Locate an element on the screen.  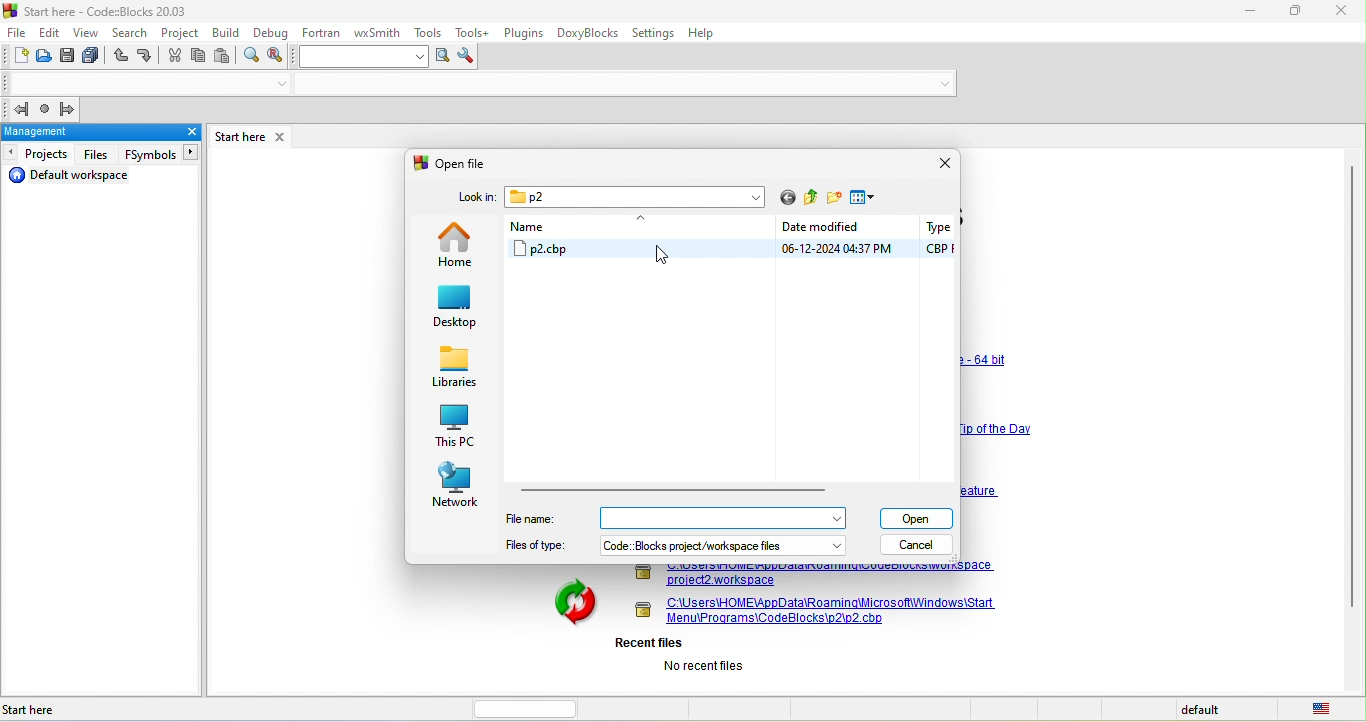
files of type is located at coordinates (645, 546).